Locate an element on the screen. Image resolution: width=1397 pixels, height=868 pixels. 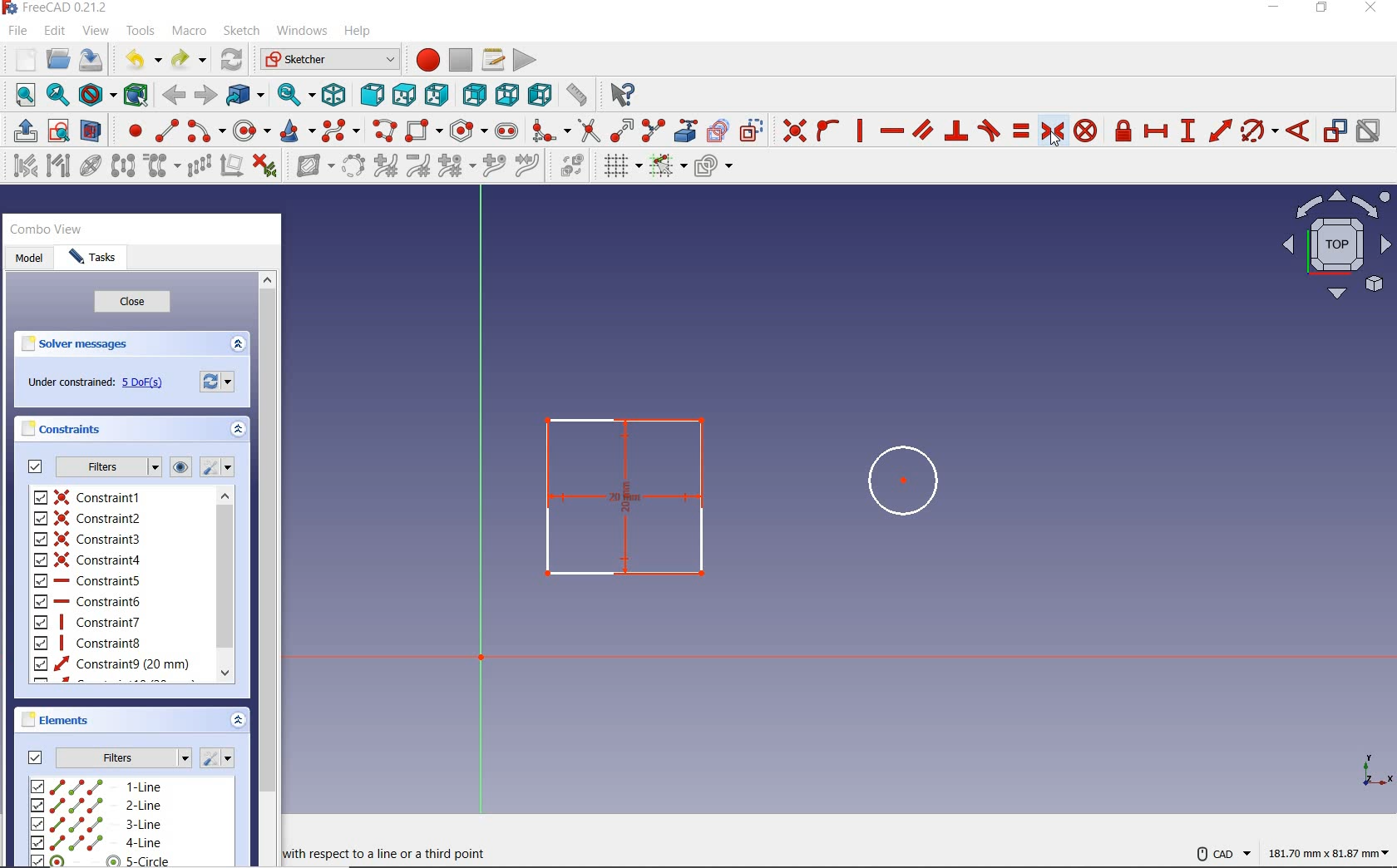
cursor is located at coordinates (1054, 141).